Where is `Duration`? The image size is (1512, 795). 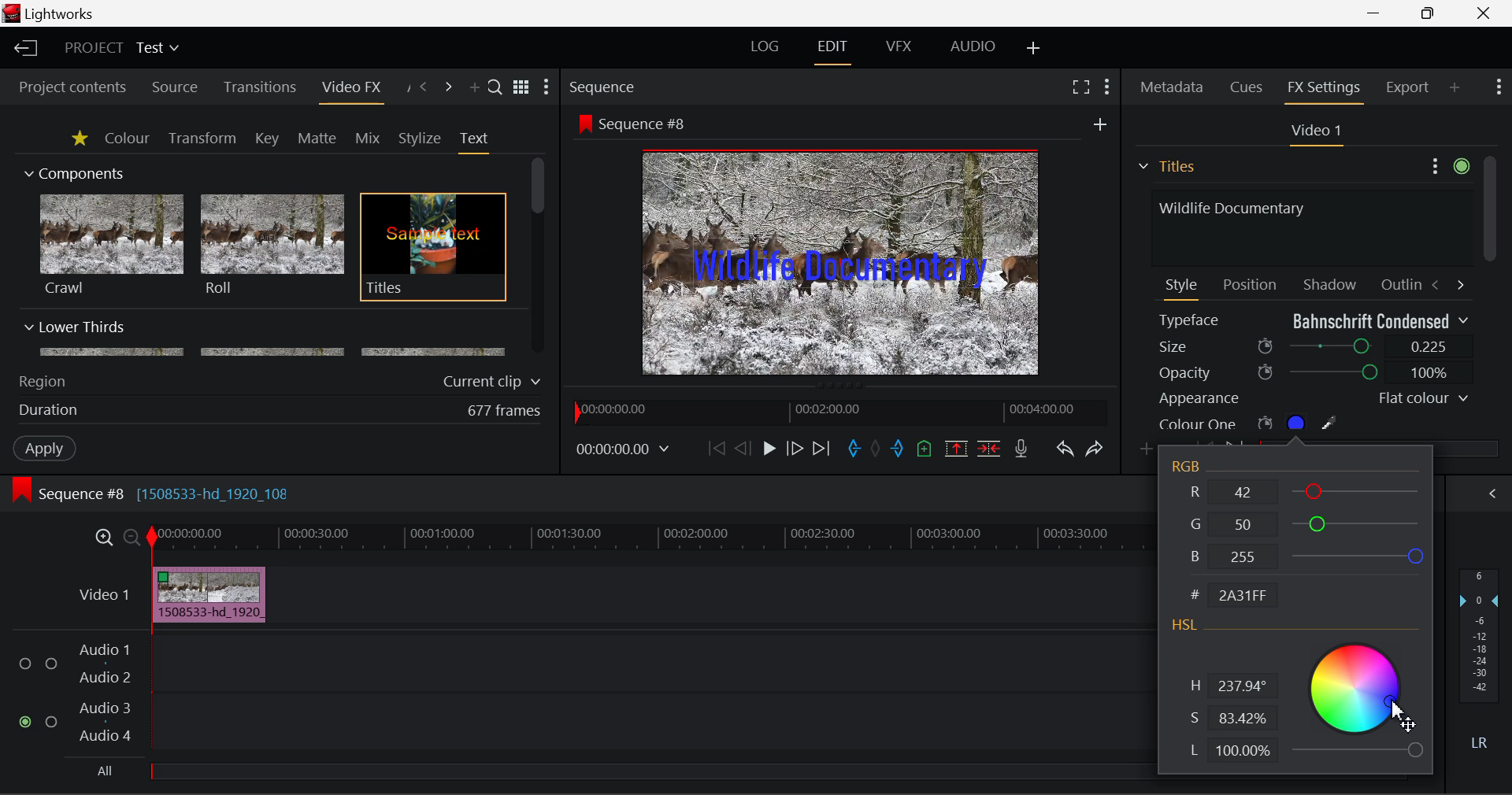
Duration is located at coordinates (50, 411).